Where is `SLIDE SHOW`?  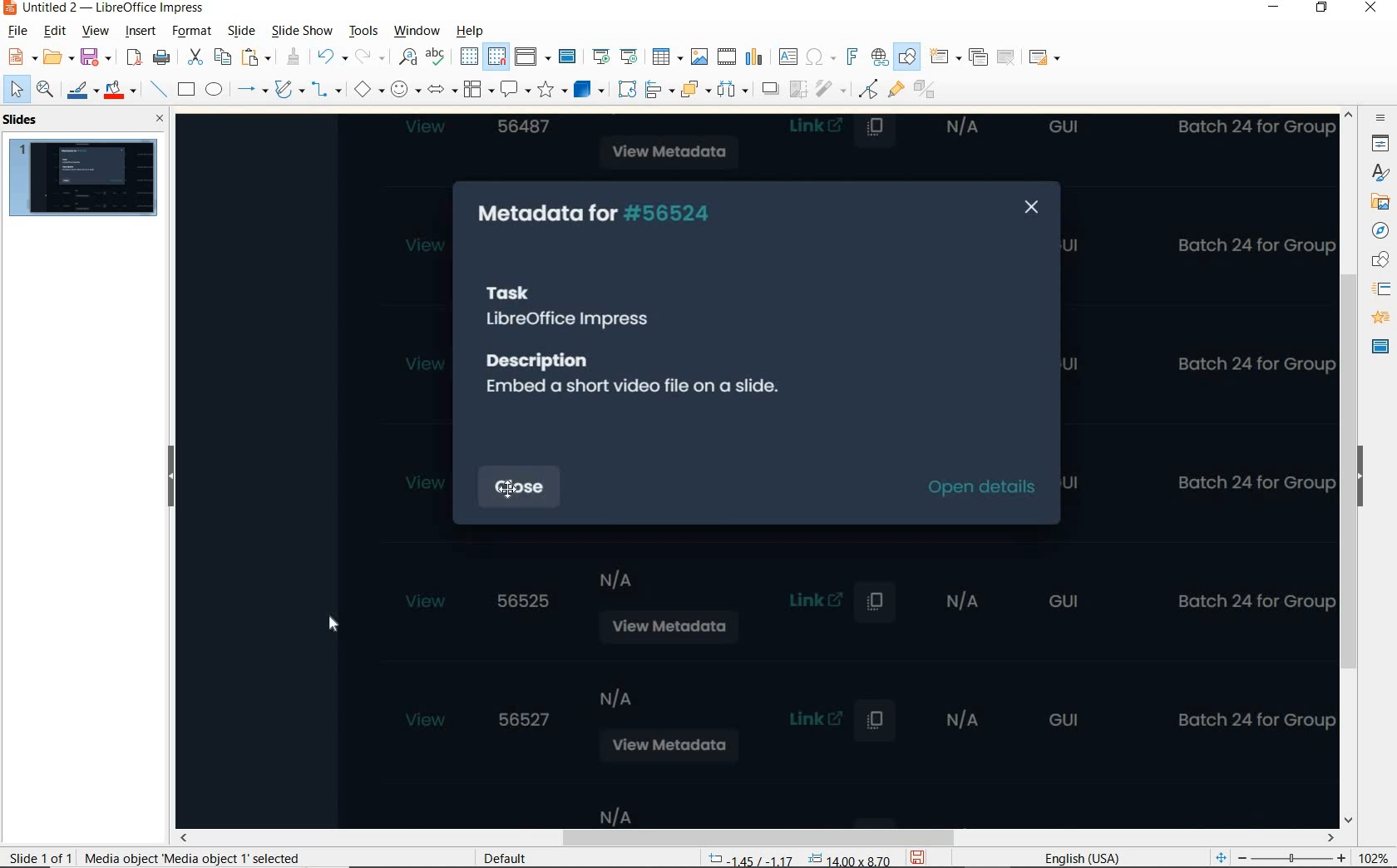 SLIDE SHOW is located at coordinates (300, 32).